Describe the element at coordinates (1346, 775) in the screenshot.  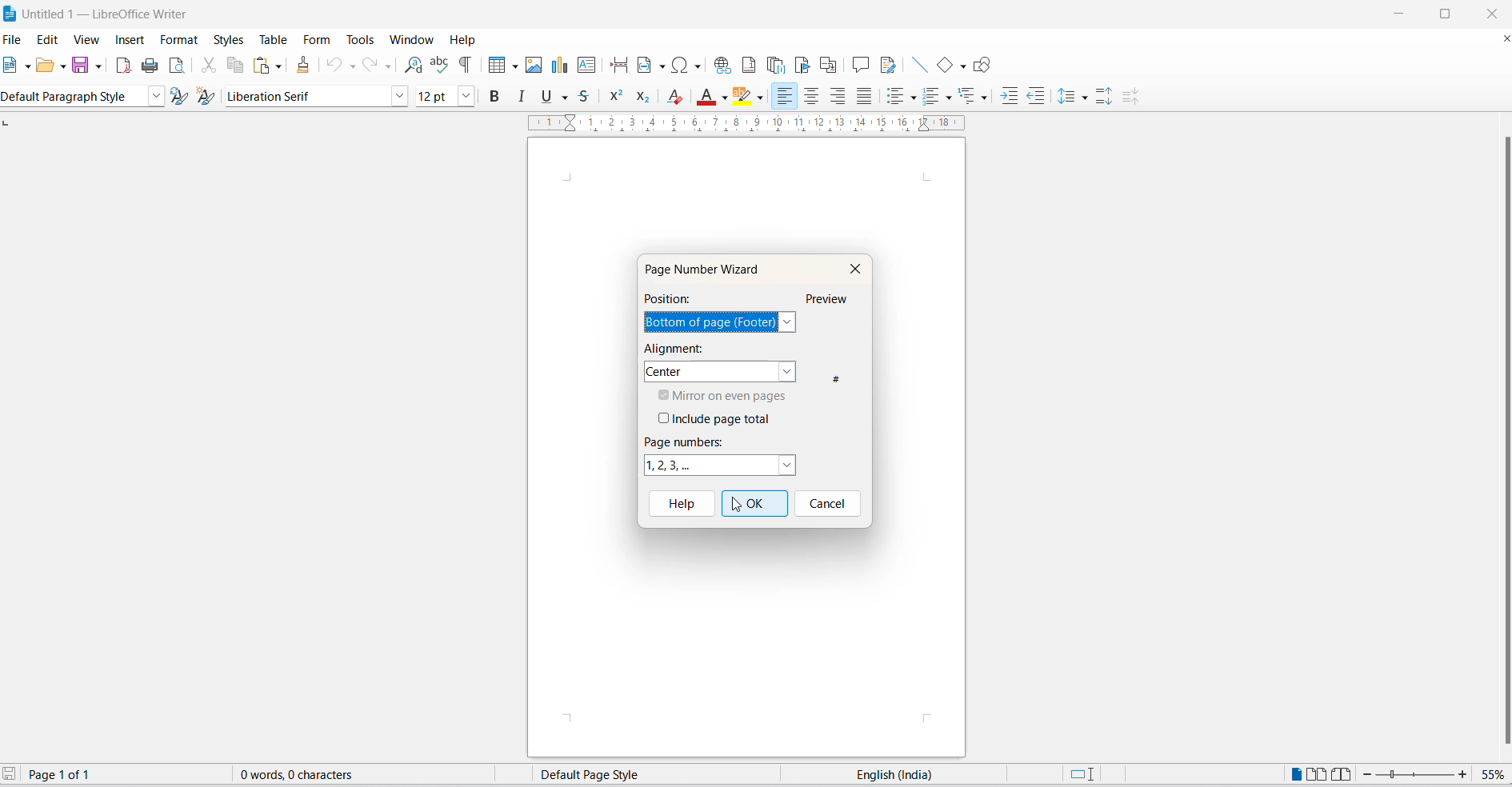
I see `book view` at that location.